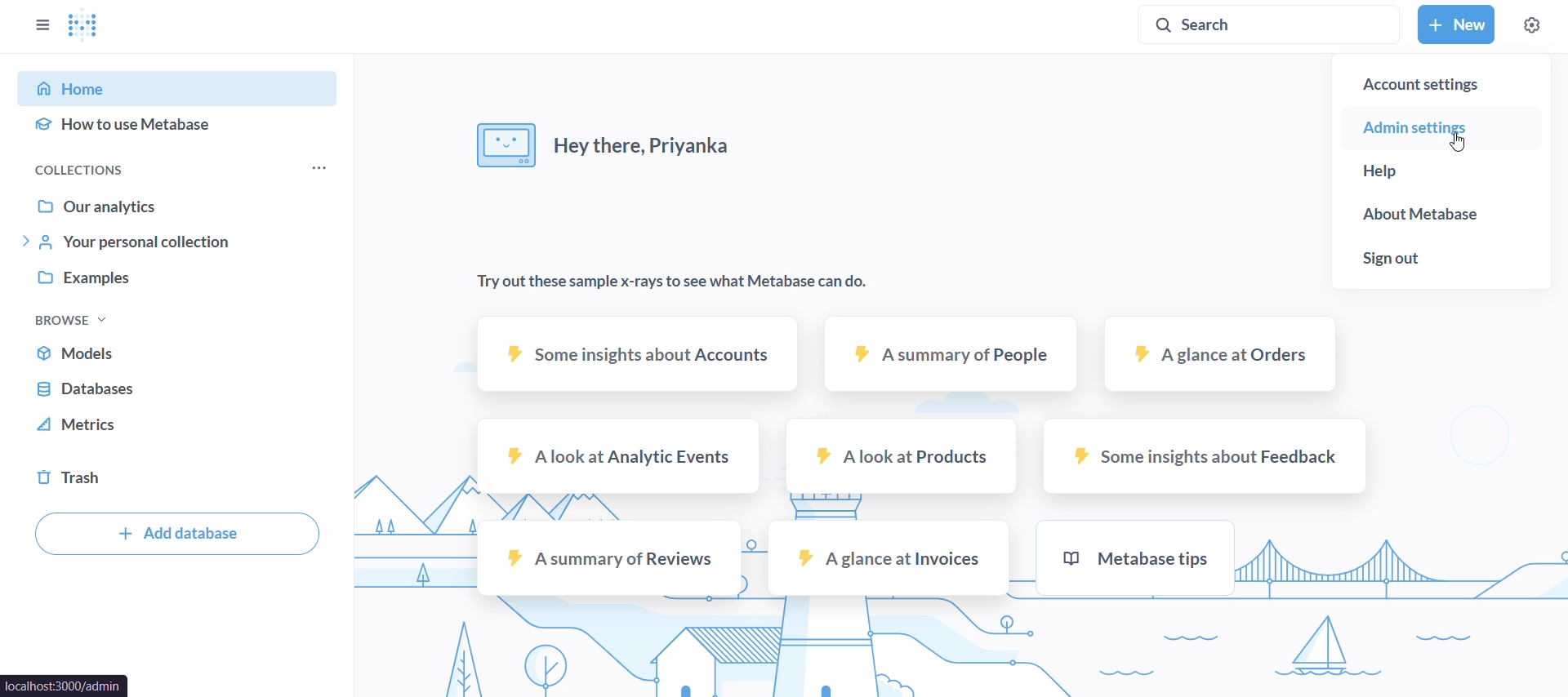 This screenshot has width=1568, height=697. What do you see at coordinates (1222, 360) in the screenshot?
I see `a glance at orders` at bounding box center [1222, 360].